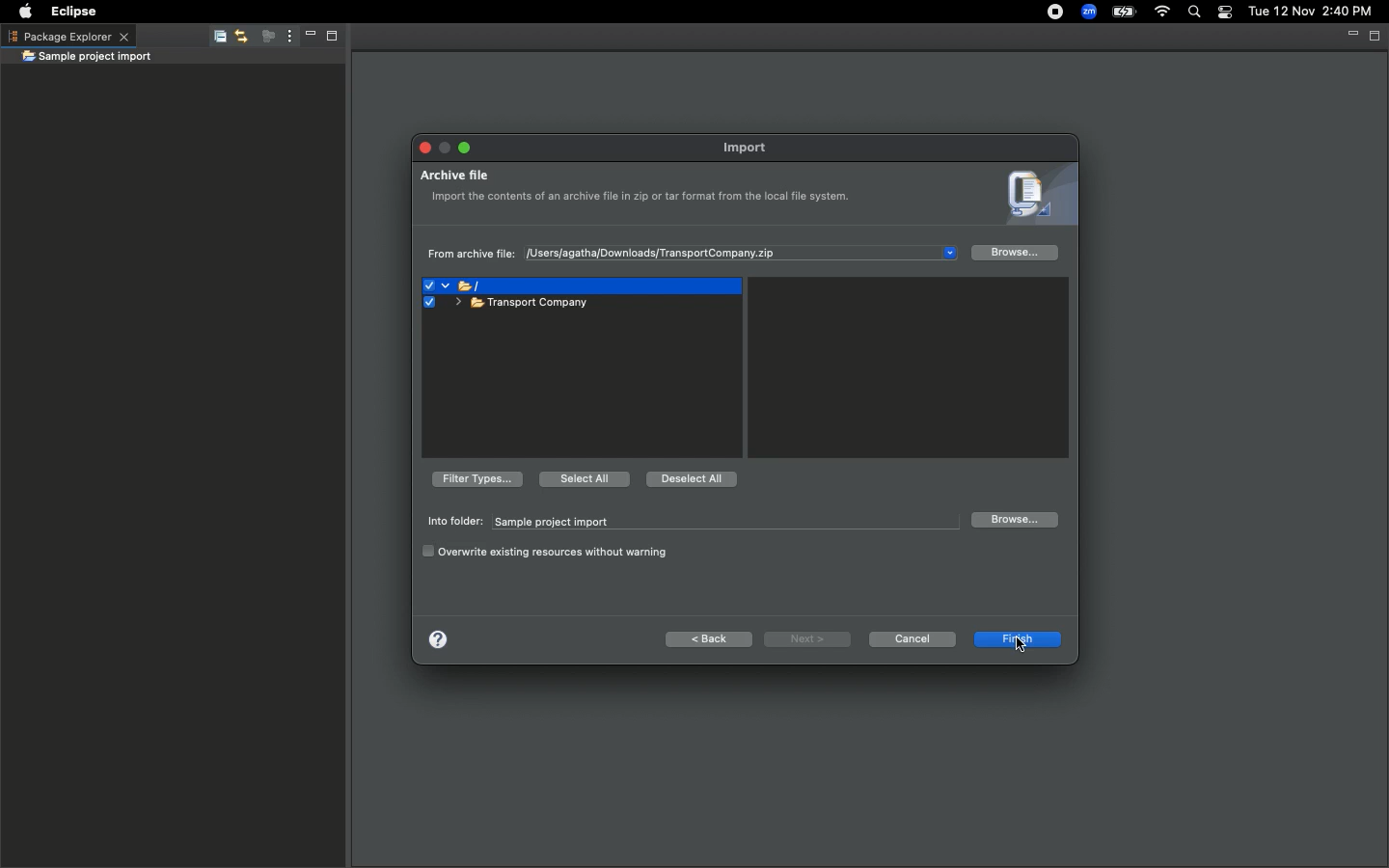 Image resolution: width=1389 pixels, height=868 pixels. I want to click on close, so click(422, 149).